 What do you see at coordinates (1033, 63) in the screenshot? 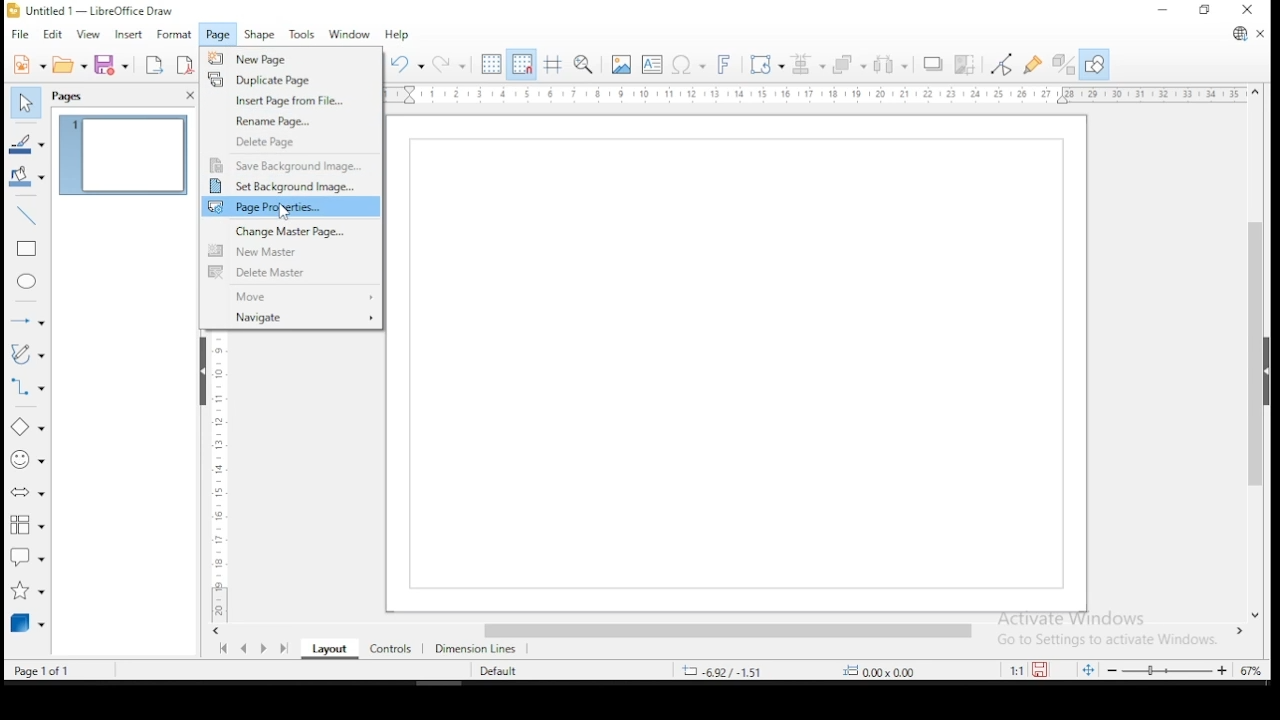
I see `show glue point functions` at bounding box center [1033, 63].